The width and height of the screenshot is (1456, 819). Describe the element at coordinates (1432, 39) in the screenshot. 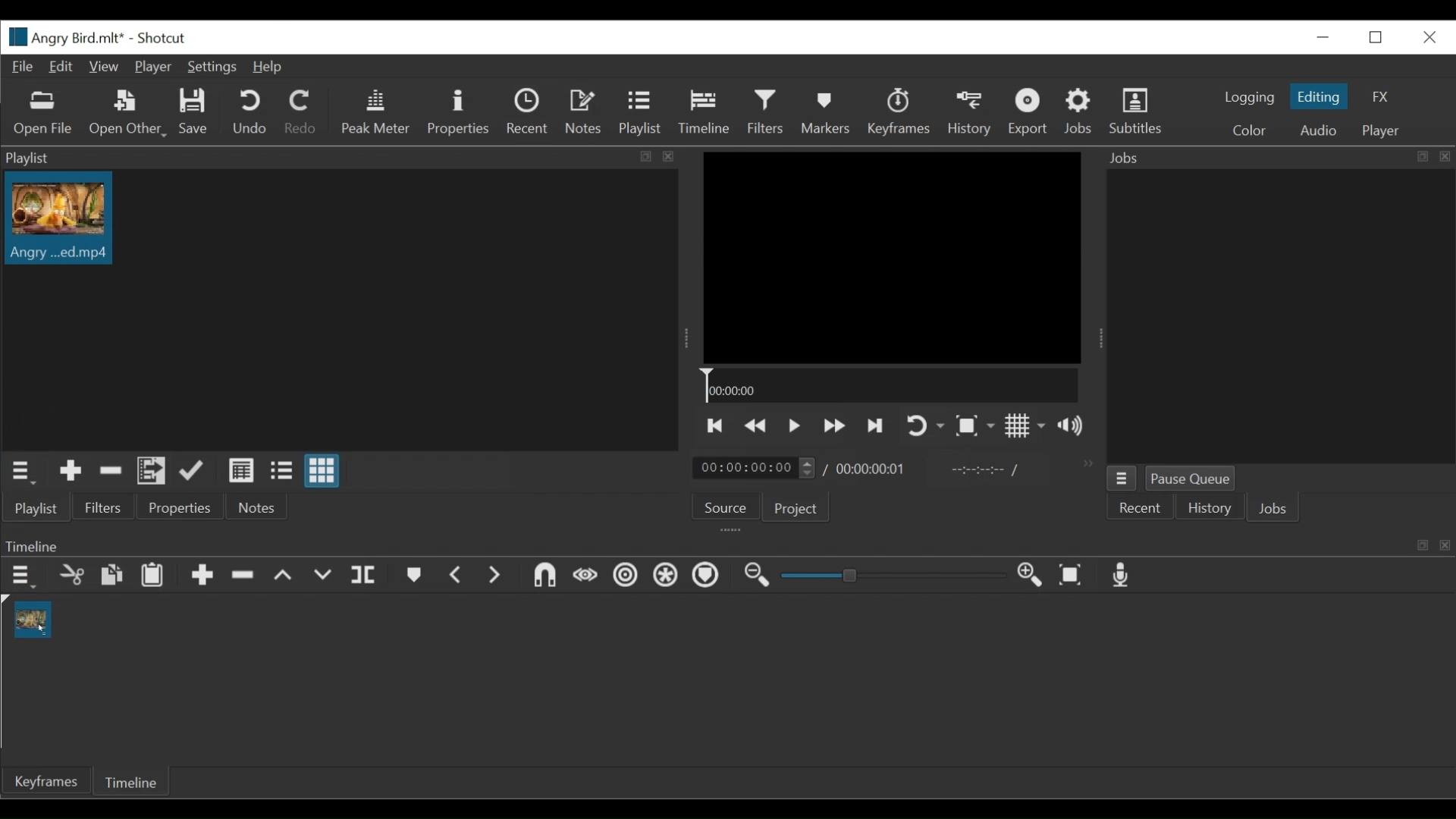

I see `` at that location.